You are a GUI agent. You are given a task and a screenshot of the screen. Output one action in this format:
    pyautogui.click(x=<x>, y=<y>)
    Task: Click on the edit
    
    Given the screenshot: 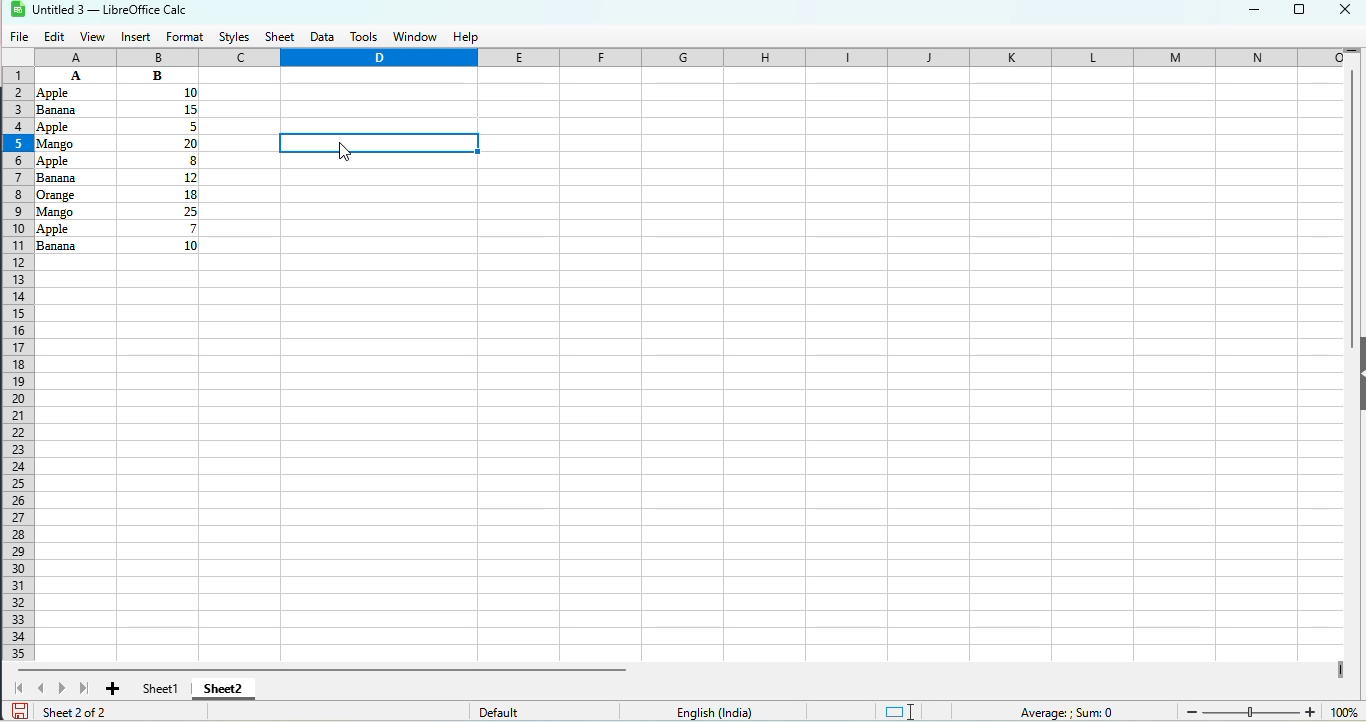 What is the action you would take?
    pyautogui.click(x=55, y=37)
    